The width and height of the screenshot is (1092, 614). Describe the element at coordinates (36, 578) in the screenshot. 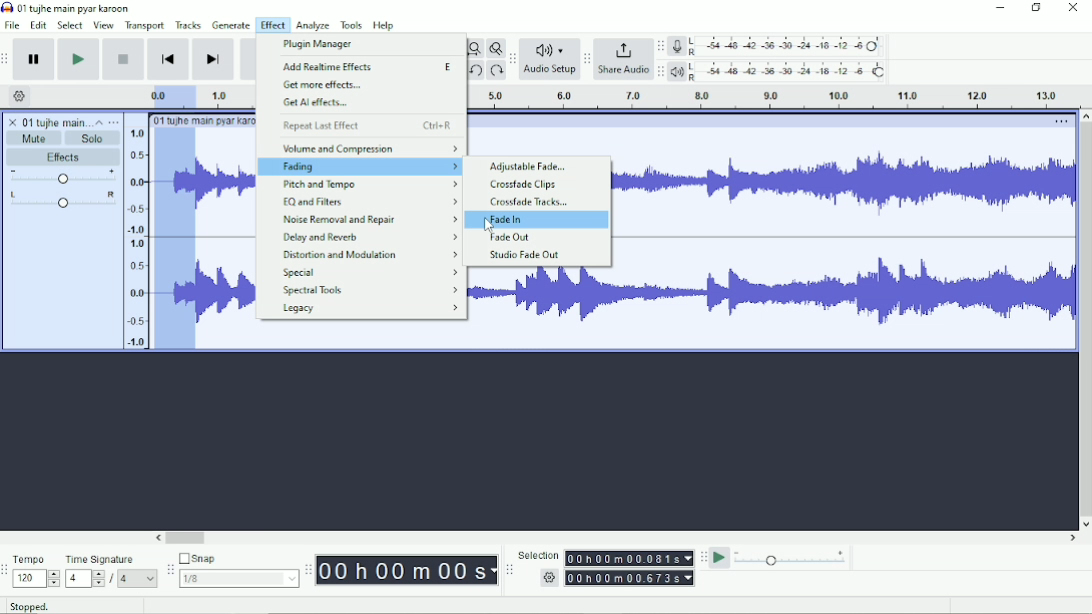

I see `Tempo Range` at that location.